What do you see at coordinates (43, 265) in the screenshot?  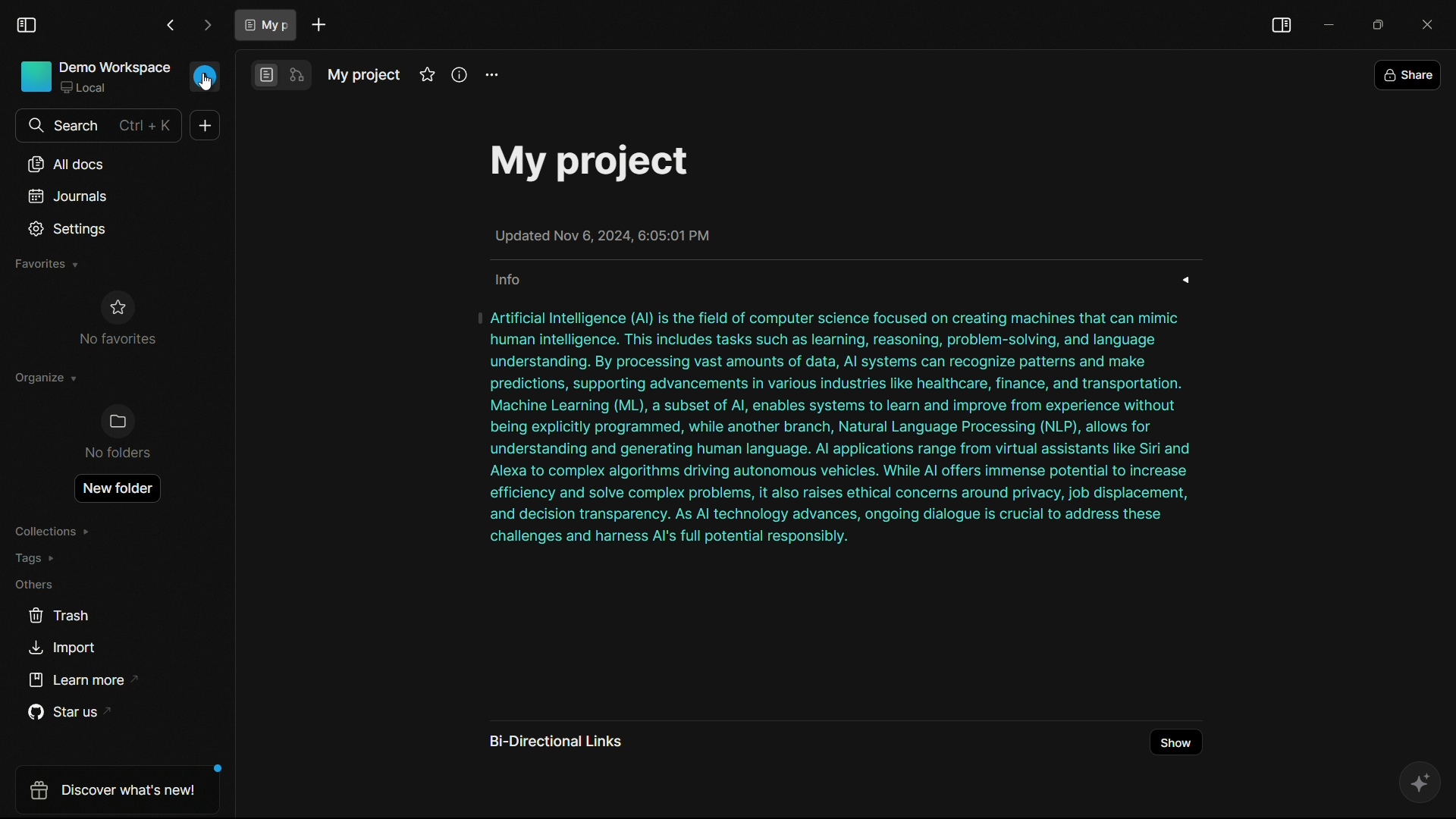 I see `favorites` at bounding box center [43, 265].